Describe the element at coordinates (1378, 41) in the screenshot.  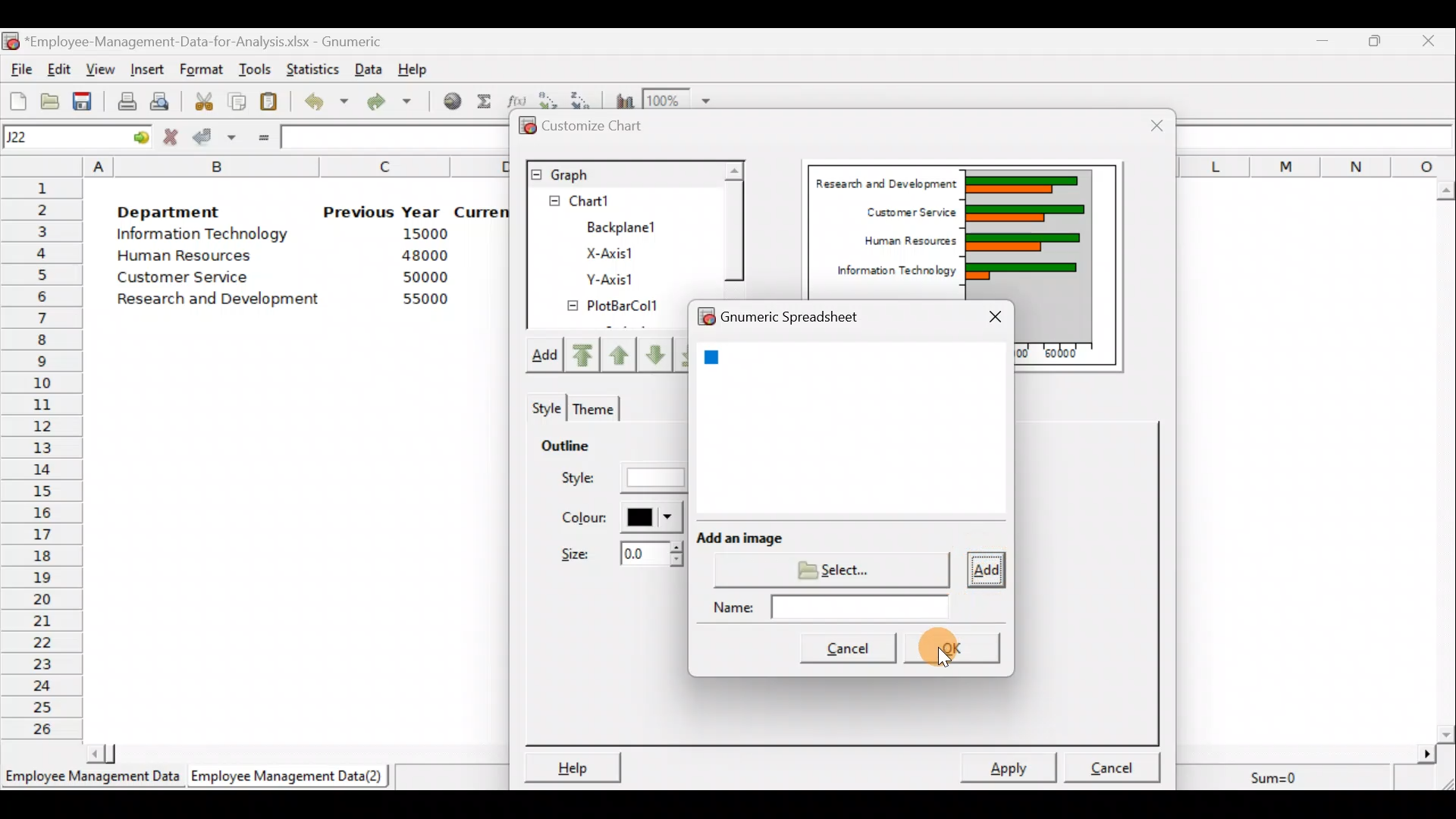
I see `Maximize` at that location.